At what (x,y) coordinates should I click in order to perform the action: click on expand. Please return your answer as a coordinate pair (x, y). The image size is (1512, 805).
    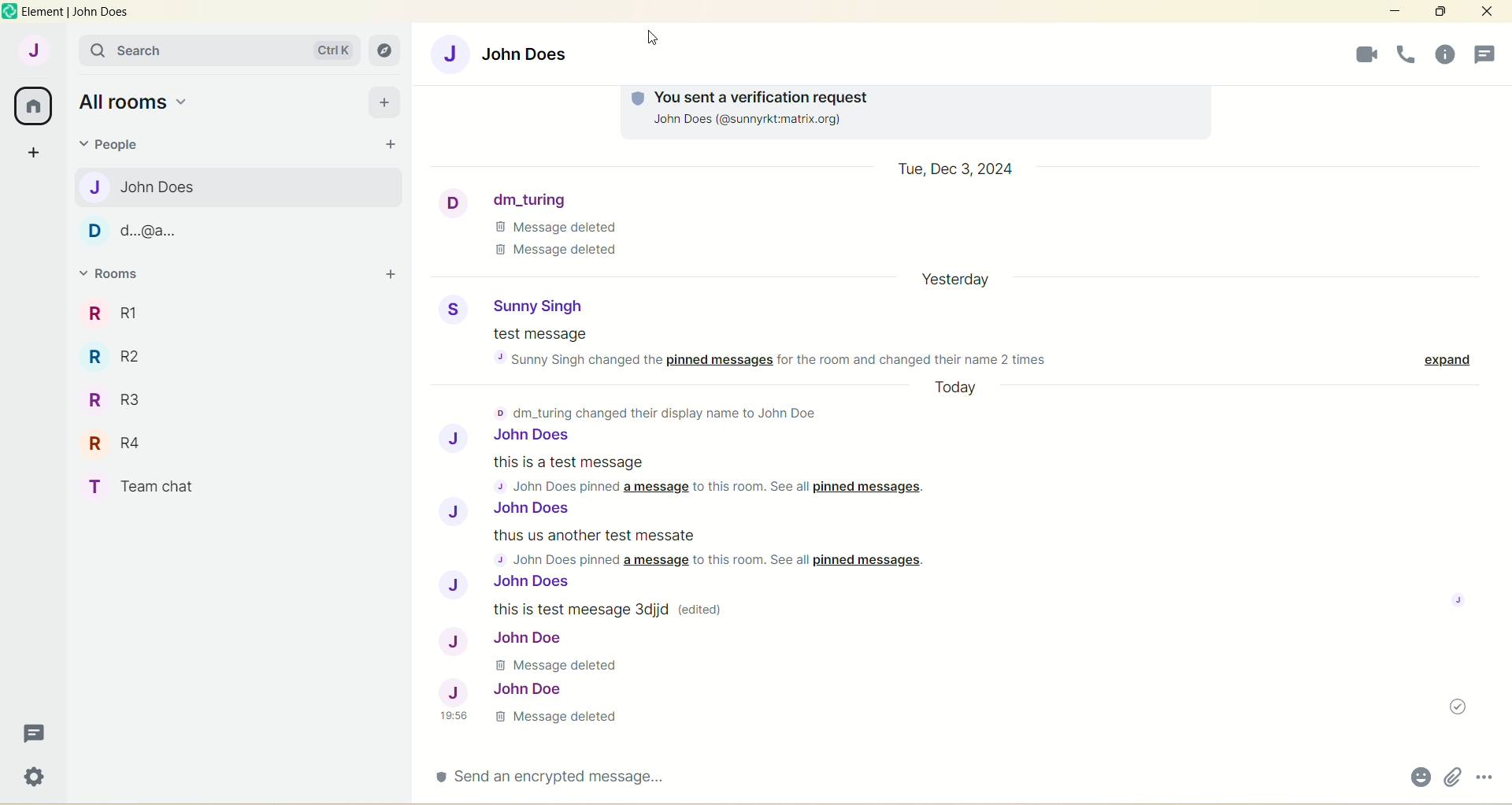
    Looking at the image, I should click on (1440, 358).